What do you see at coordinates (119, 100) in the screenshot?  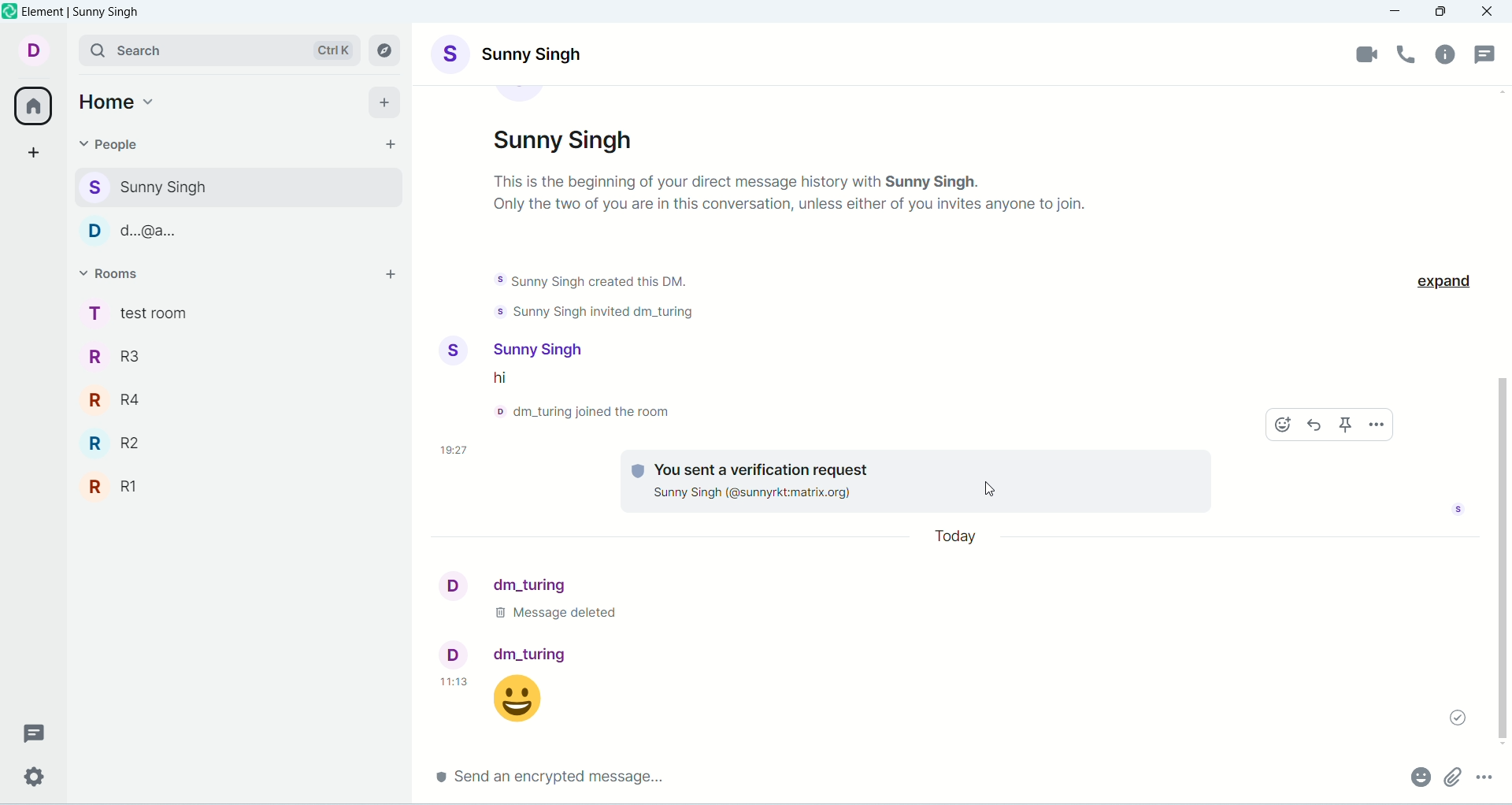 I see `home` at bounding box center [119, 100].